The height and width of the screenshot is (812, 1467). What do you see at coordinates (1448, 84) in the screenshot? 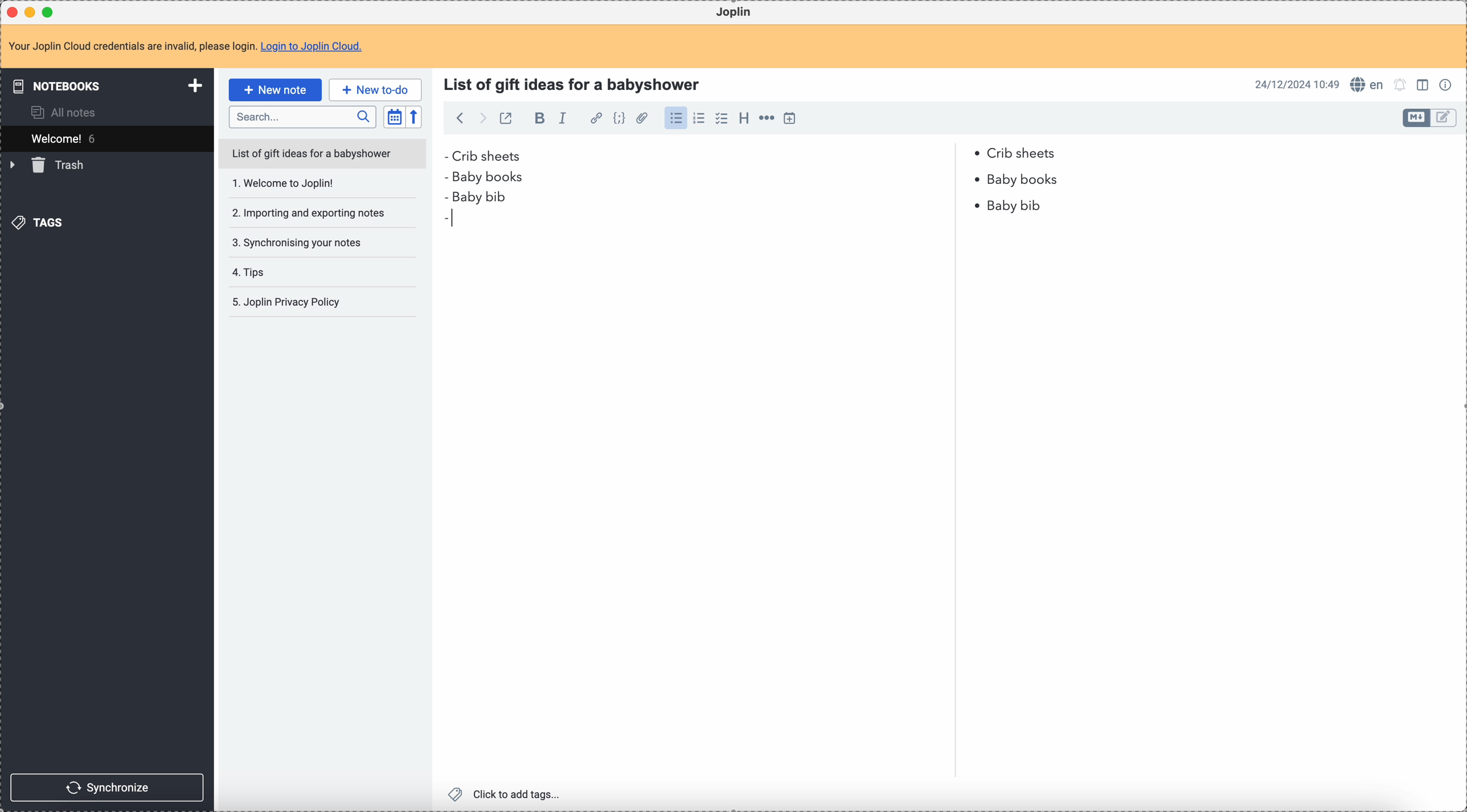
I see `note properties` at bounding box center [1448, 84].